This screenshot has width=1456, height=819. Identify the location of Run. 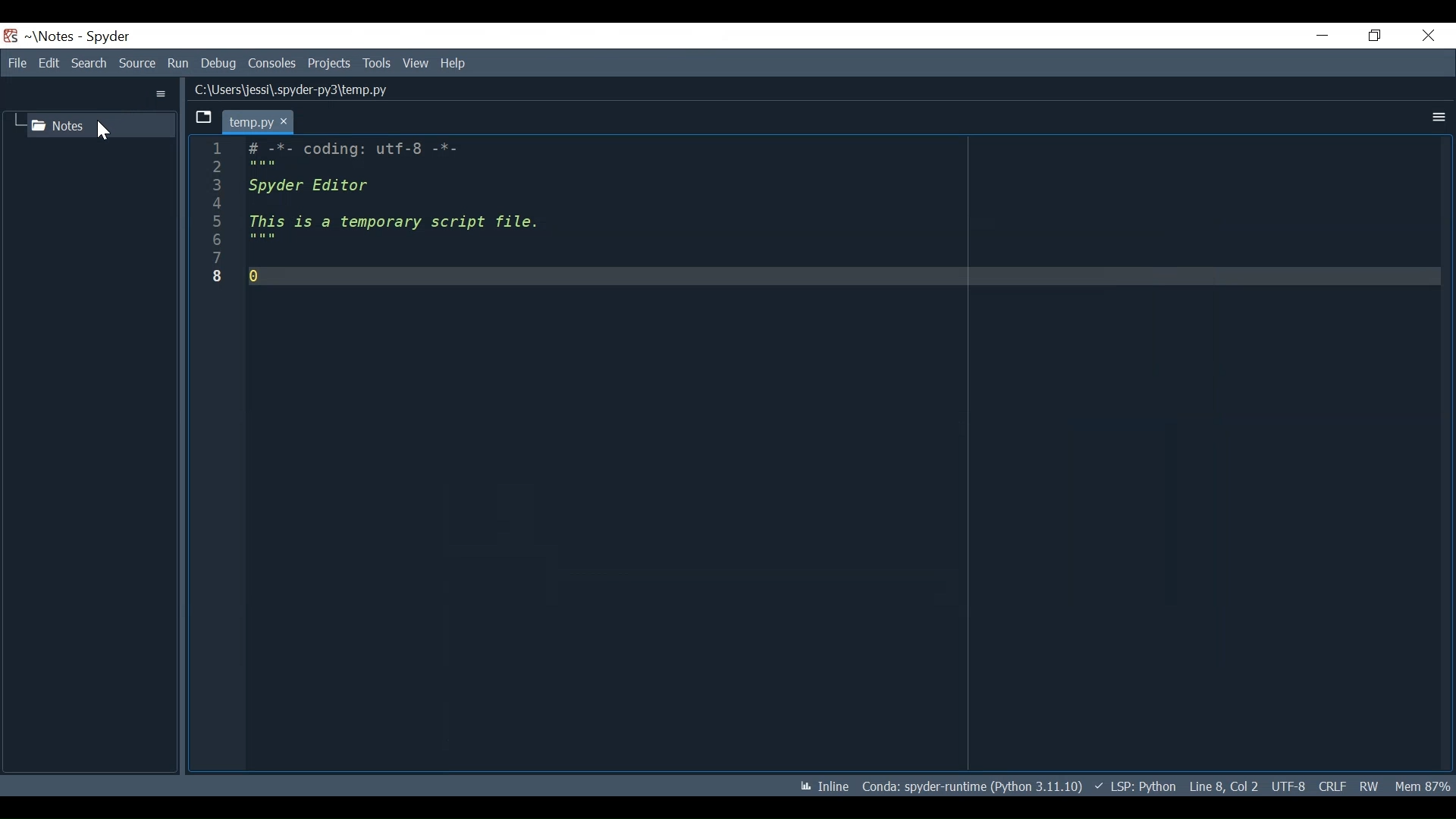
(176, 63).